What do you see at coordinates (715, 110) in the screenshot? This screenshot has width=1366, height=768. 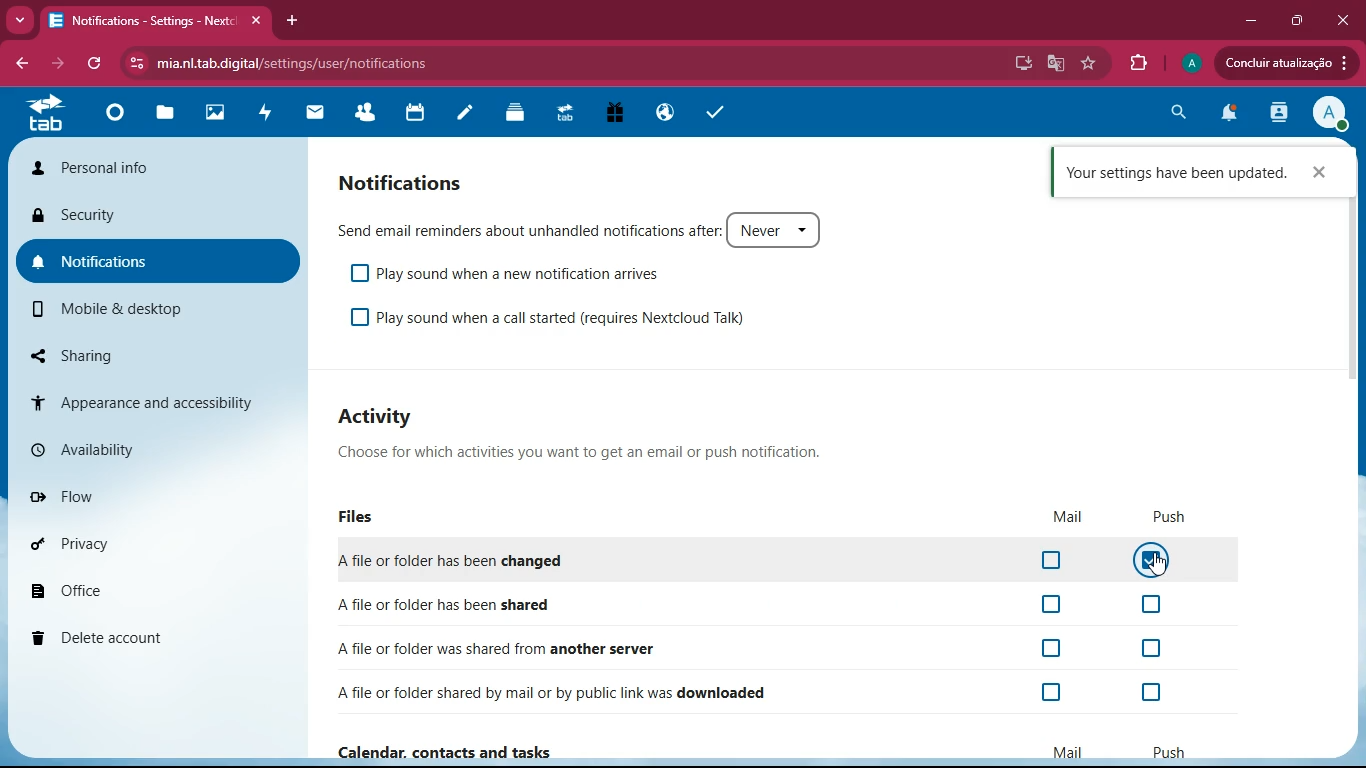 I see `tasks` at bounding box center [715, 110].